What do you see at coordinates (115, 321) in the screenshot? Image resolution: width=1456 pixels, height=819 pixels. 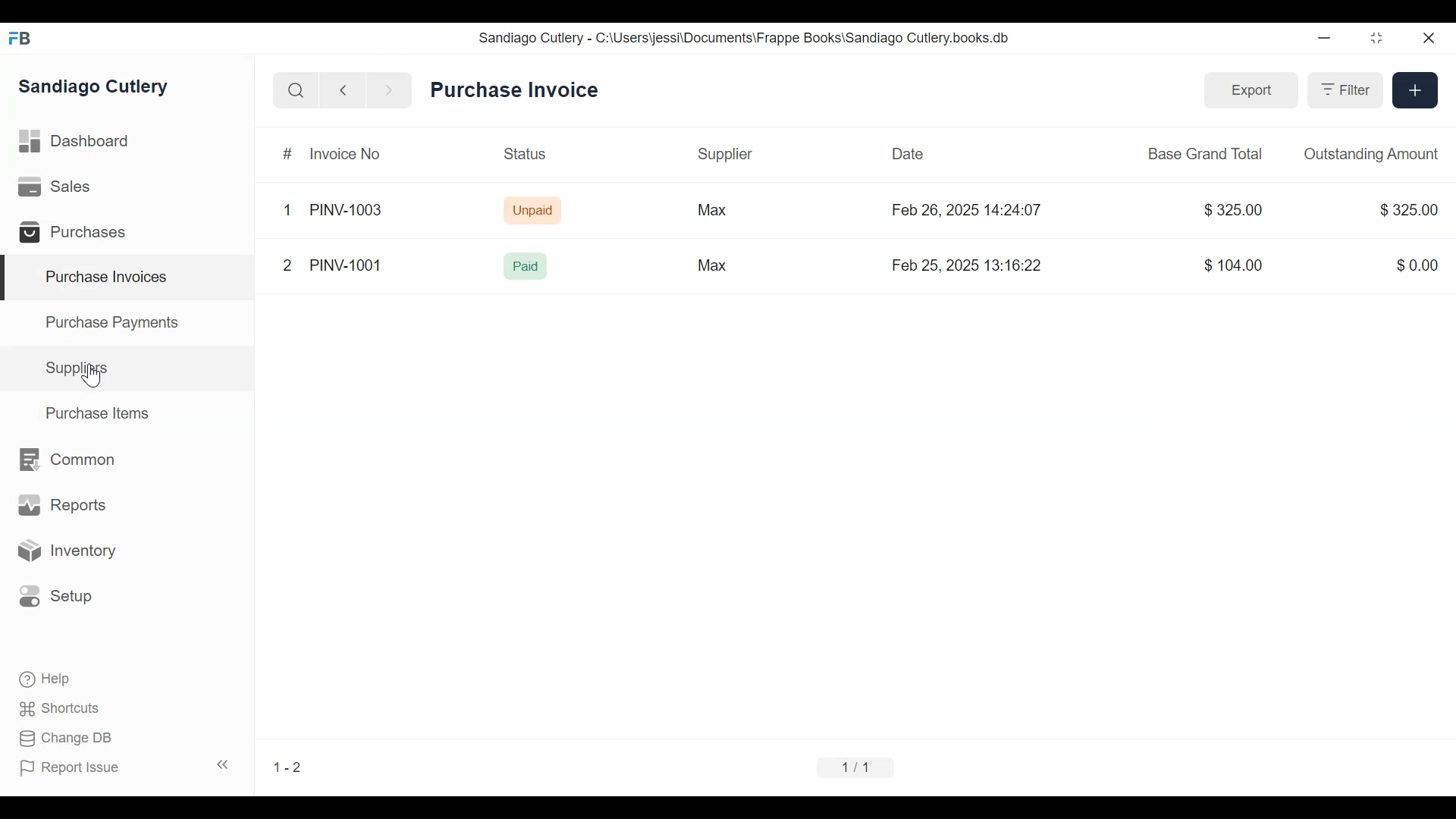 I see `Purchase Payments` at bounding box center [115, 321].